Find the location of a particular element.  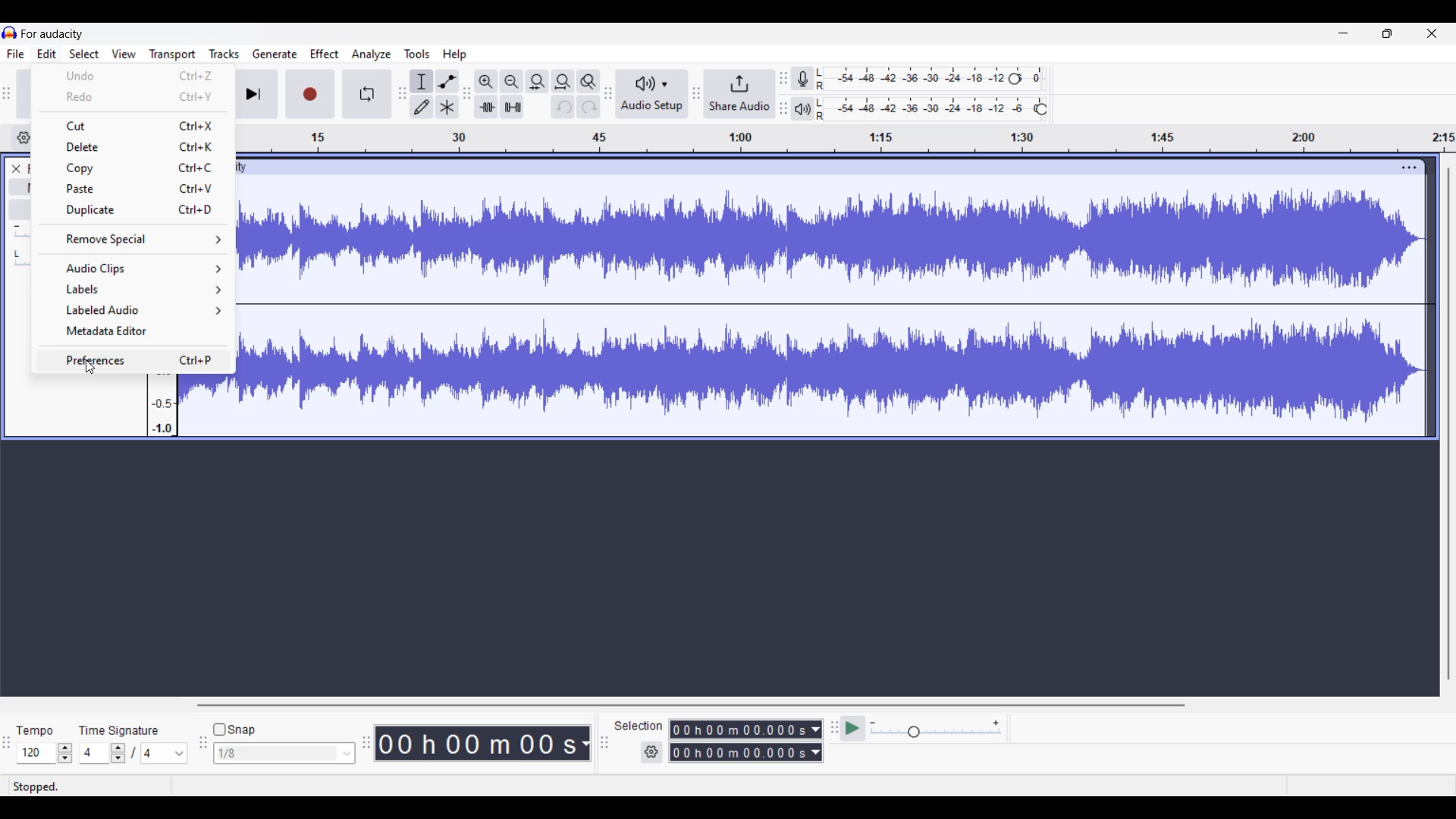

Input time signature is located at coordinates (94, 753).